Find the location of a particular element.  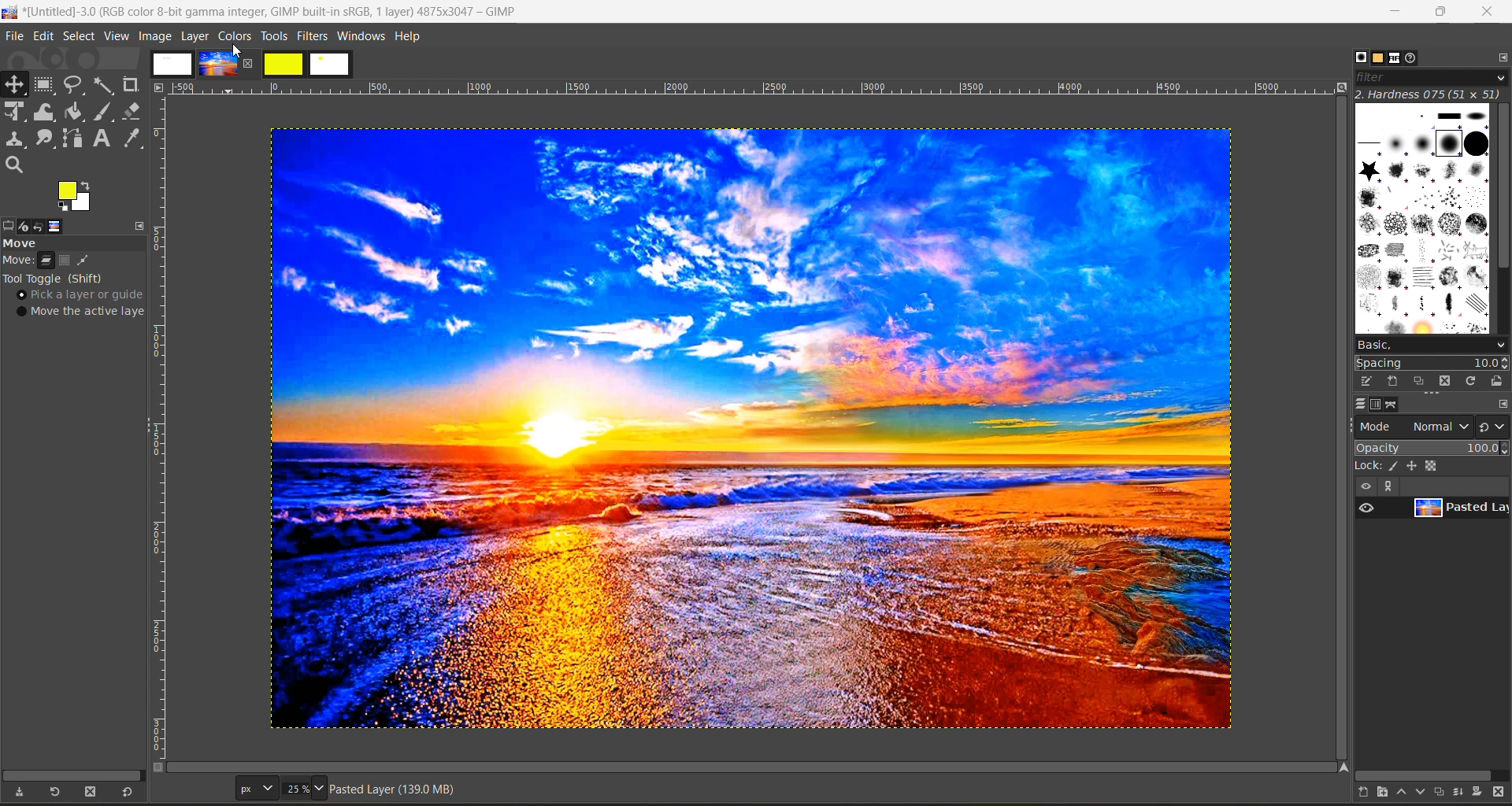

save tool preset is located at coordinates (19, 792).